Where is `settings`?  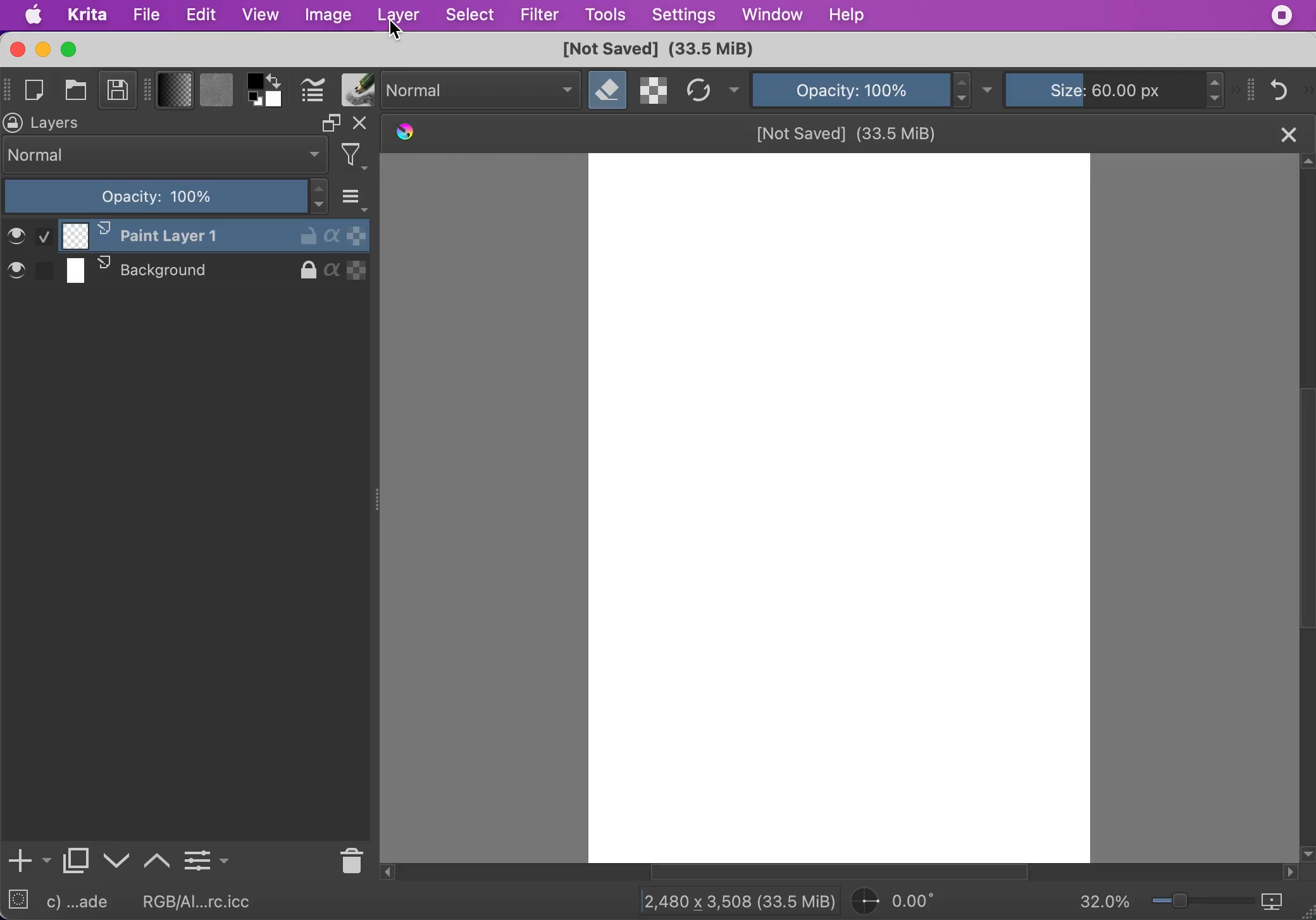
settings is located at coordinates (683, 16).